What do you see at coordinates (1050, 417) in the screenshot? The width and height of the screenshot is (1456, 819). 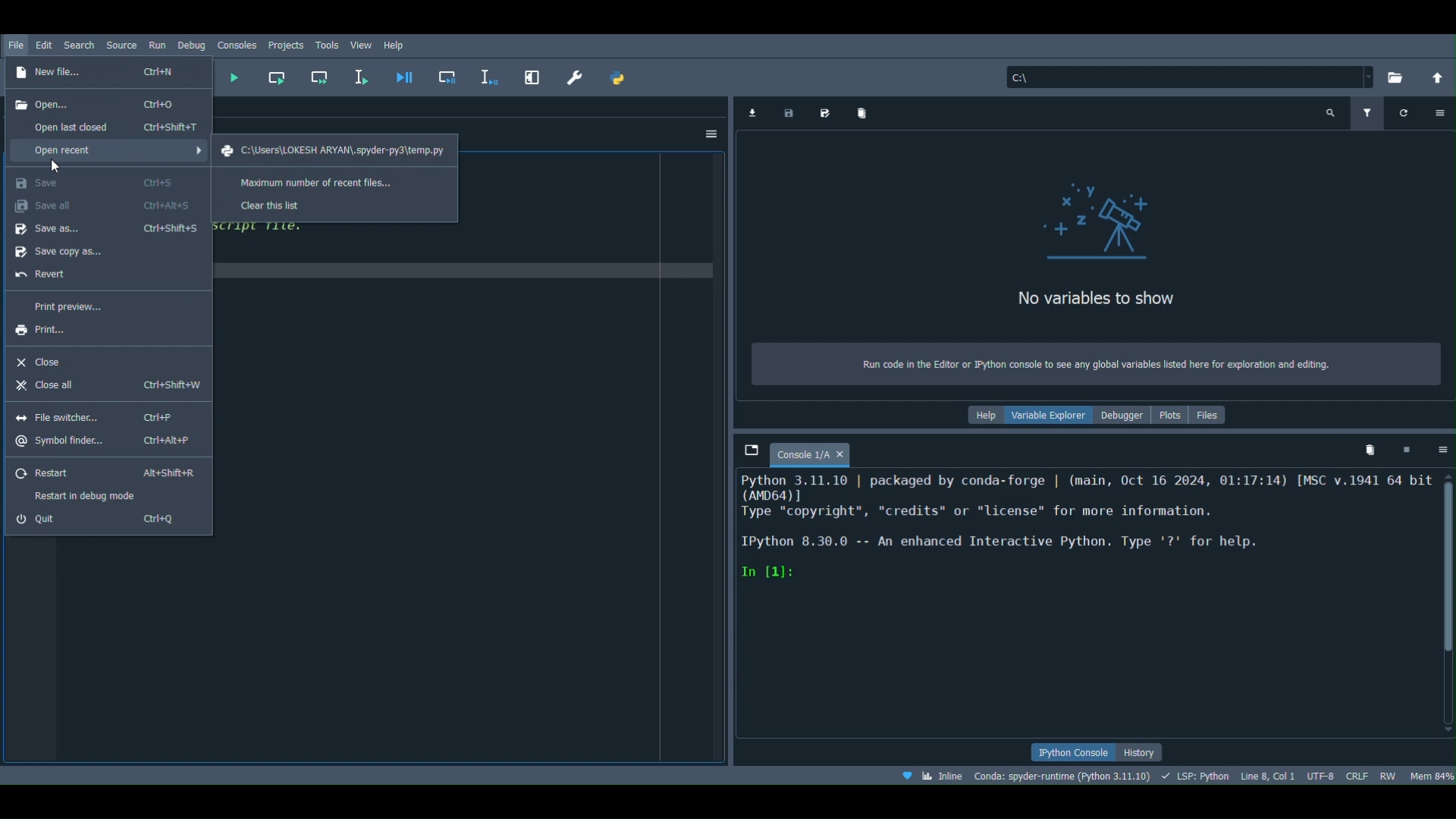 I see `Variable explorer` at bounding box center [1050, 417].